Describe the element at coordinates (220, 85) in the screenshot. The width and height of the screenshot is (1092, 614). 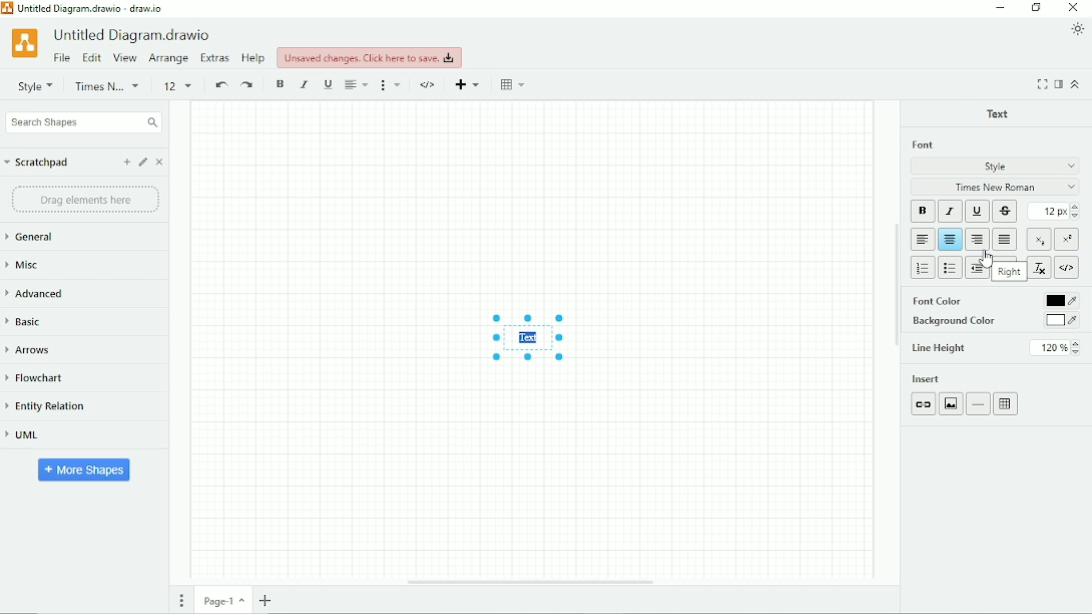
I see `Undo` at that location.